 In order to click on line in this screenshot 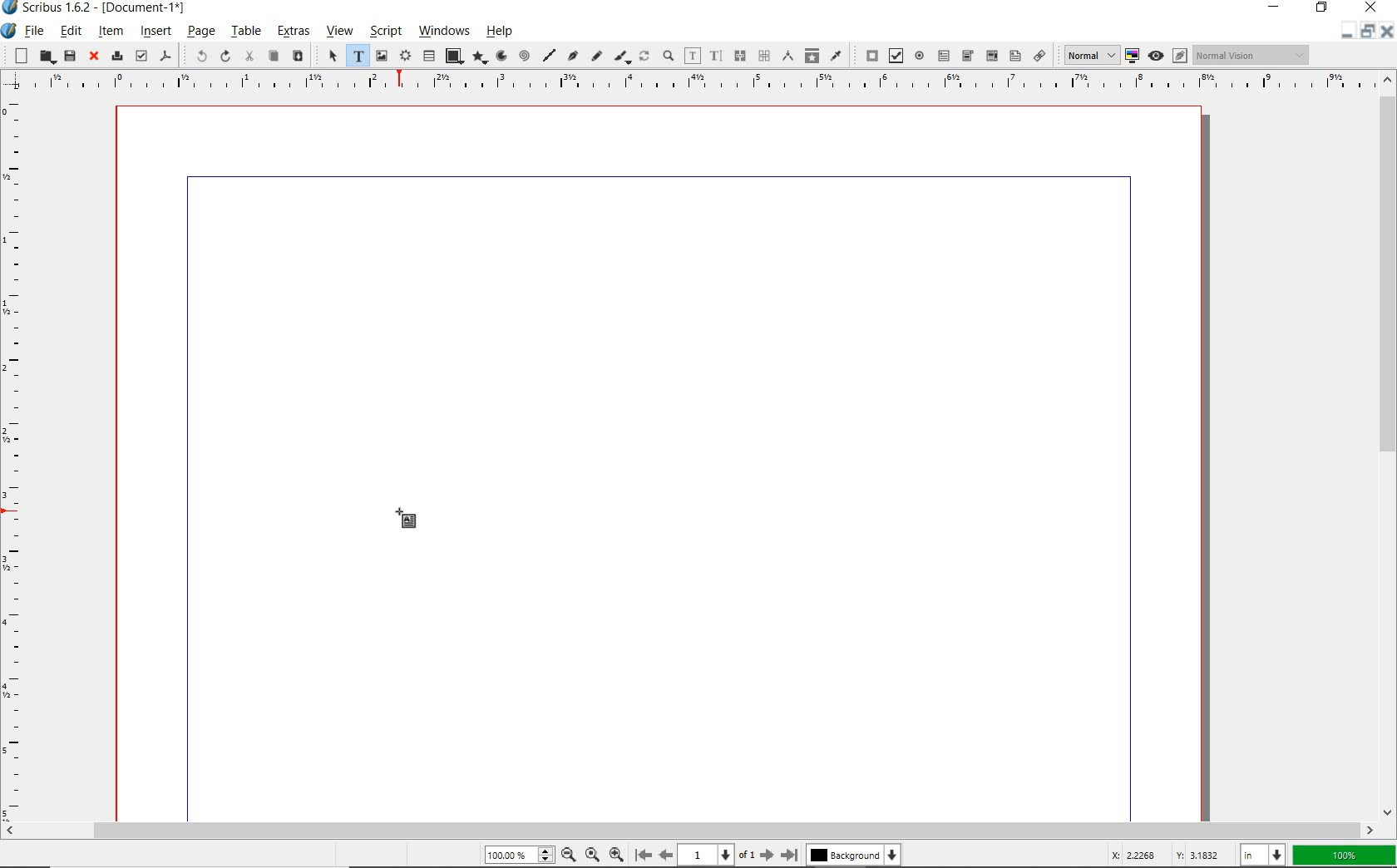, I will do `click(548, 55)`.